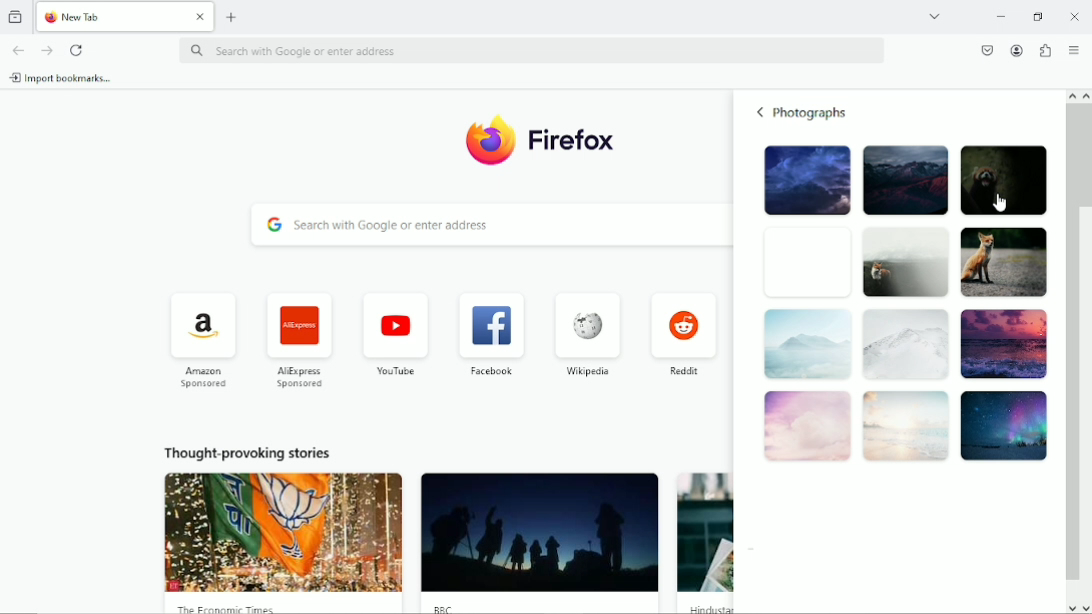 The width and height of the screenshot is (1092, 614). What do you see at coordinates (202, 341) in the screenshot?
I see `Amazon sponsored` at bounding box center [202, 341].